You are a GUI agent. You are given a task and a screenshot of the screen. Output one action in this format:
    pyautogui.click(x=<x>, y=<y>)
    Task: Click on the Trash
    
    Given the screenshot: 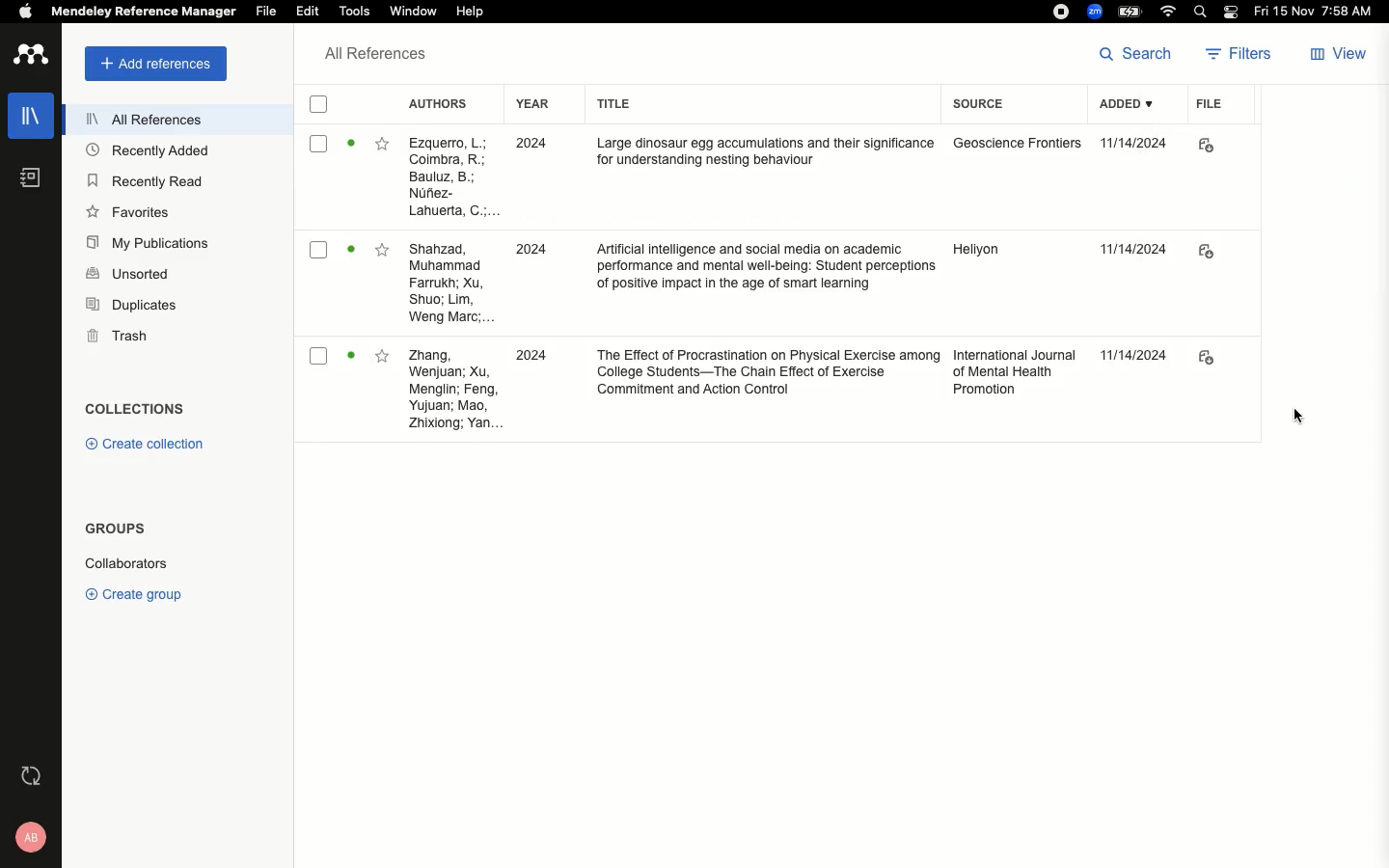 What is the action you would take?
    pyautogui.click(x=110, y=336)
    